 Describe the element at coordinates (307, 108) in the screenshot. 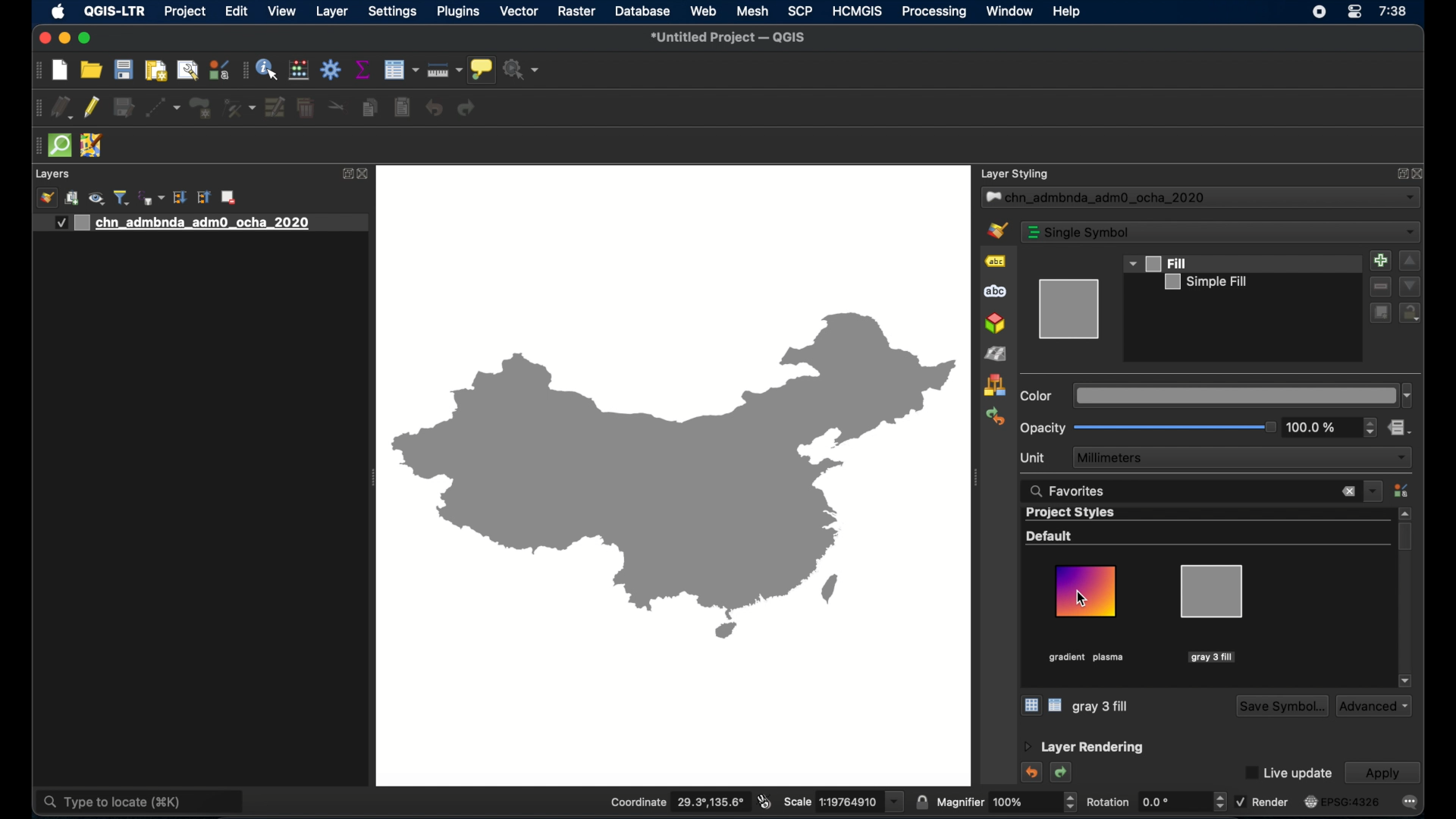

I see `delete selected` at that location.